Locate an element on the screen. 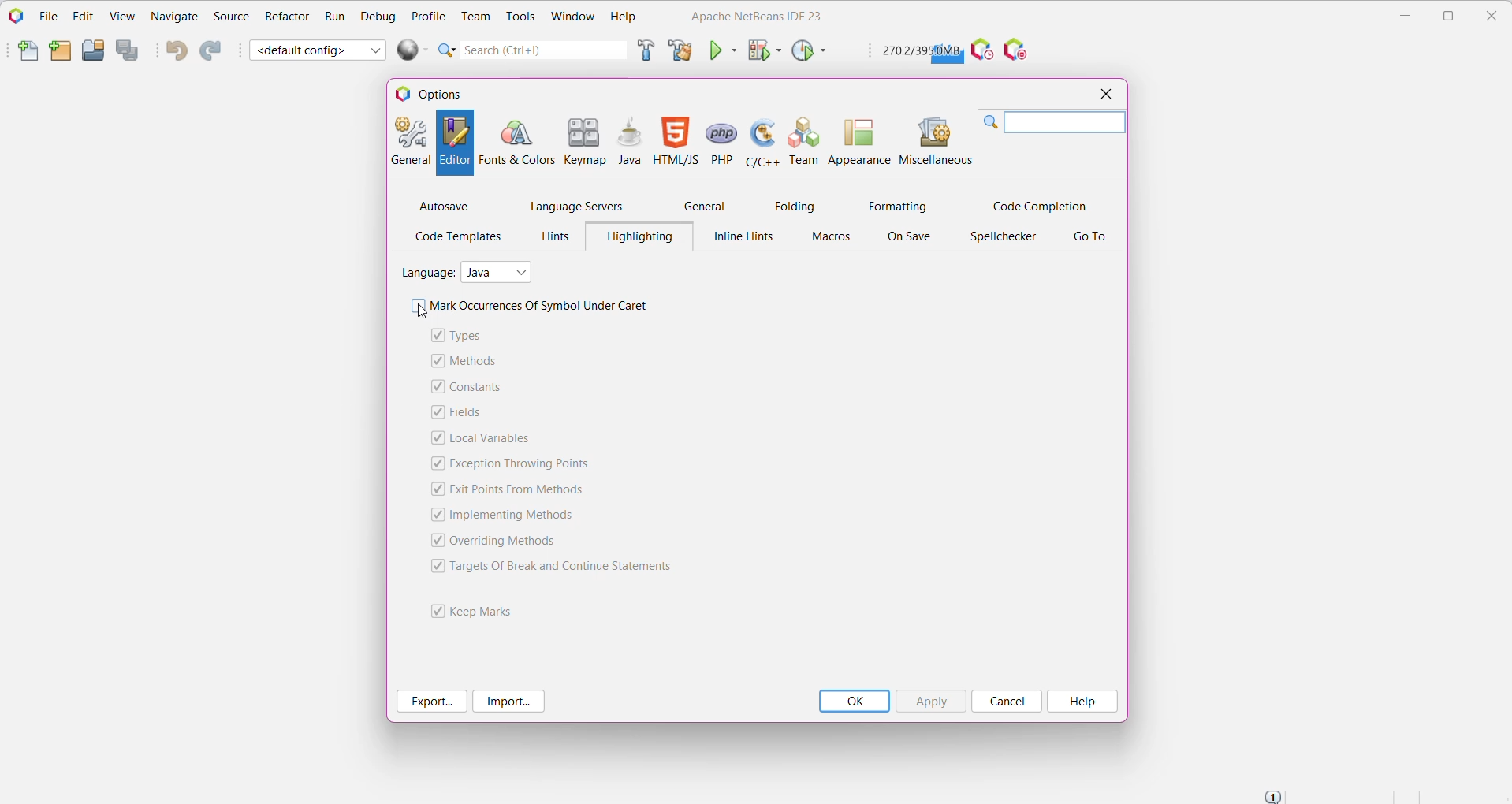  General is located at coordinates (709, 204).